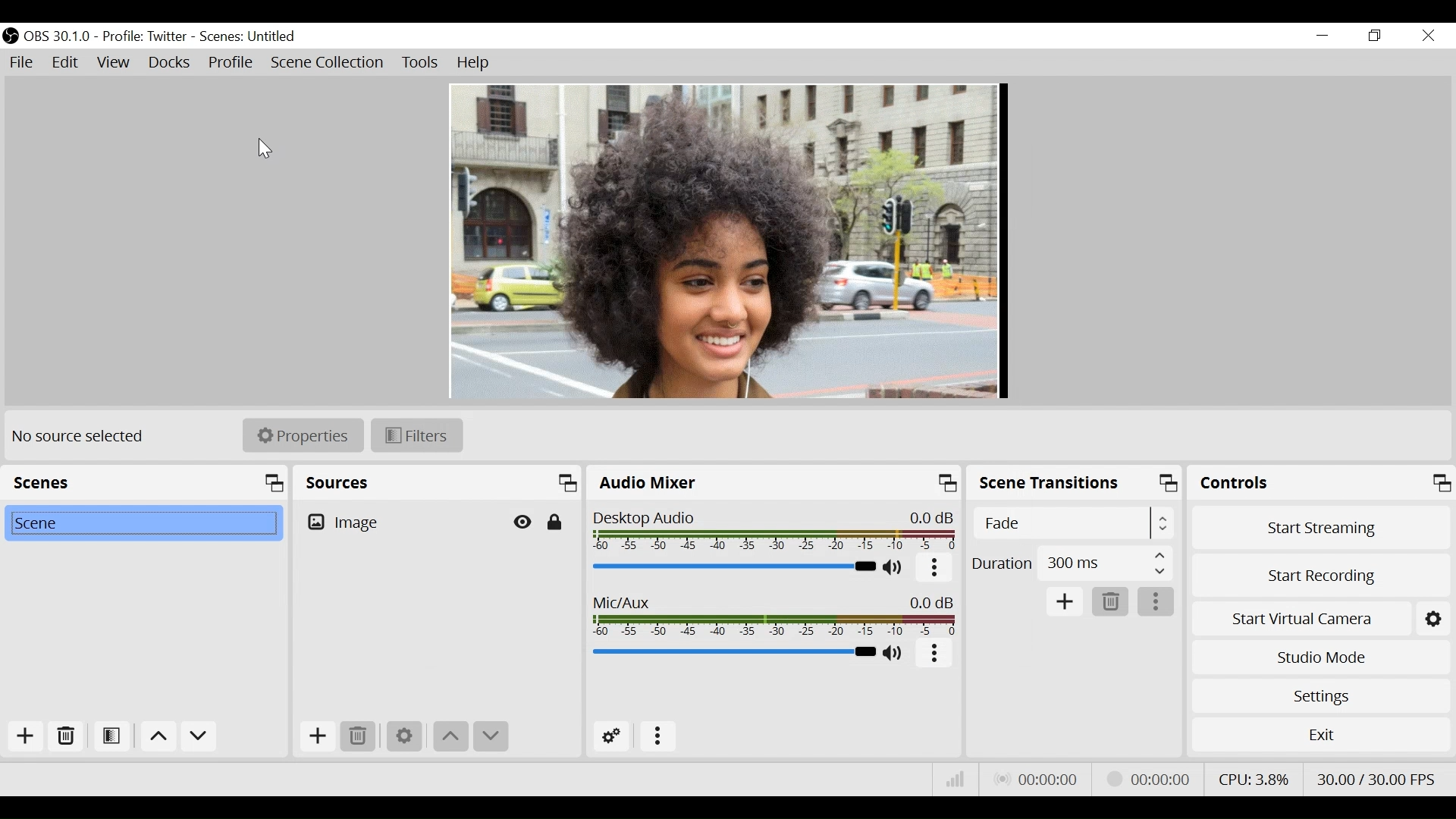  Describe the element at coordinates (199, 737) in the screenshot. I see `move down` at that location.